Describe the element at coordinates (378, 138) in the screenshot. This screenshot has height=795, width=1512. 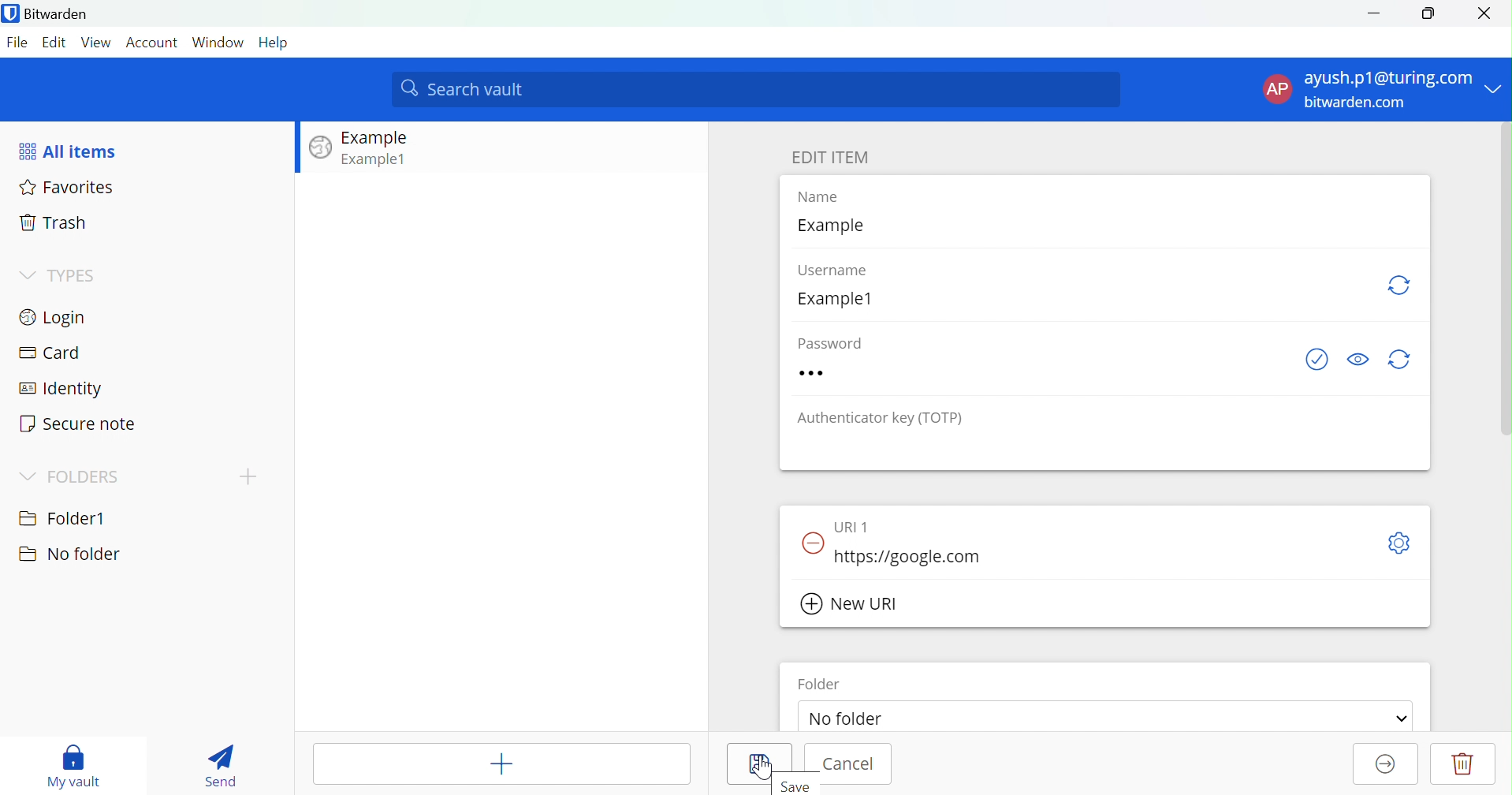
I see `Example` at that location.